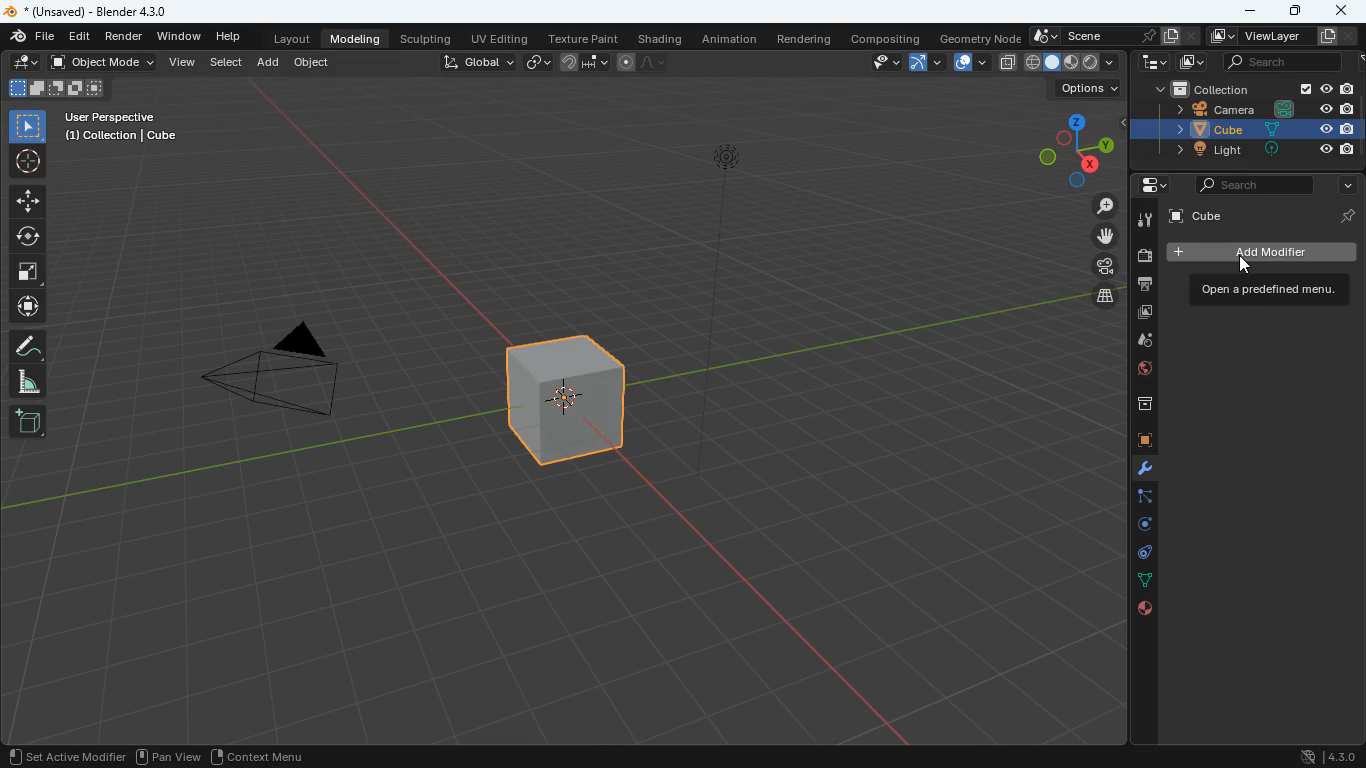 This screenshot has width=1366, height=768. I want to click on camera, so click(1255, 112).